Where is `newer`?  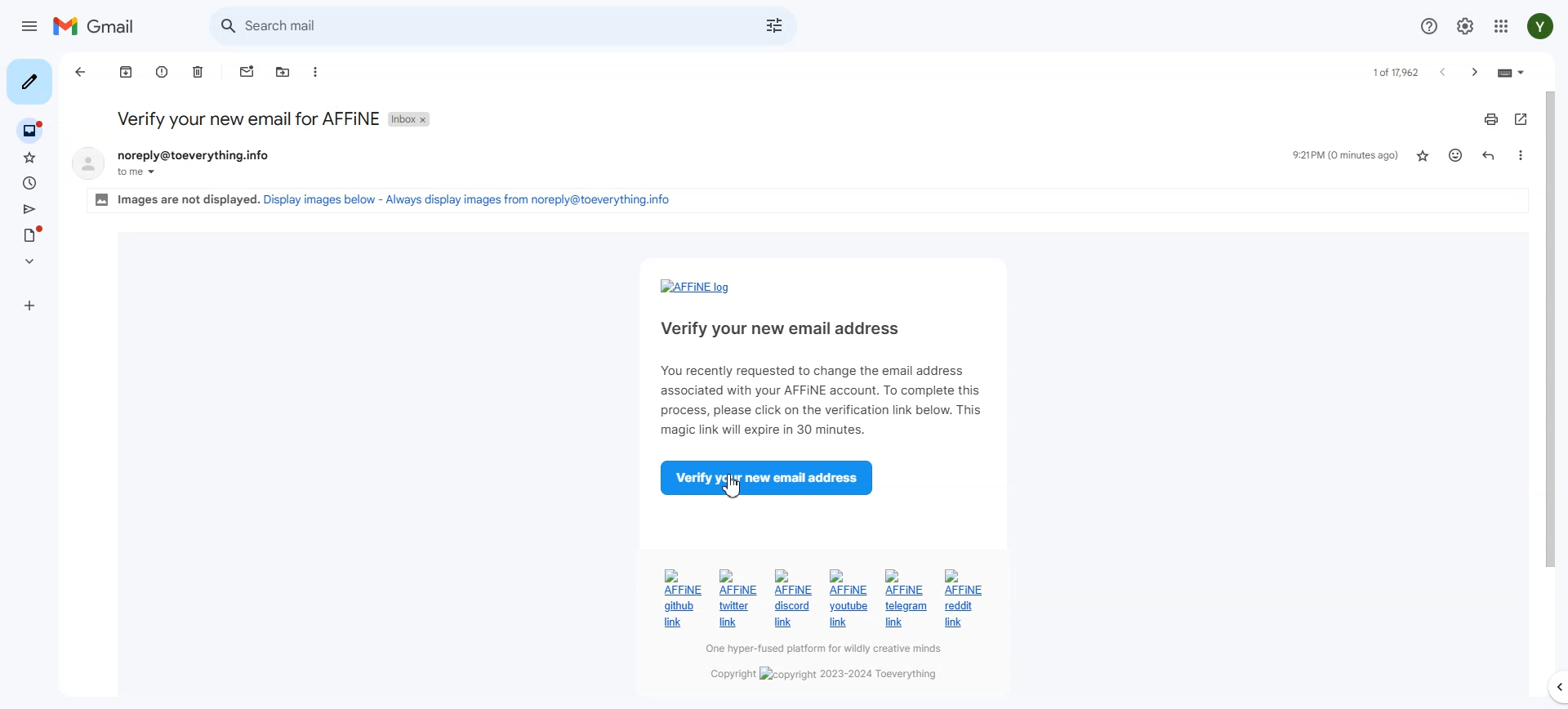 newer is located at coordinates (1450, 73).